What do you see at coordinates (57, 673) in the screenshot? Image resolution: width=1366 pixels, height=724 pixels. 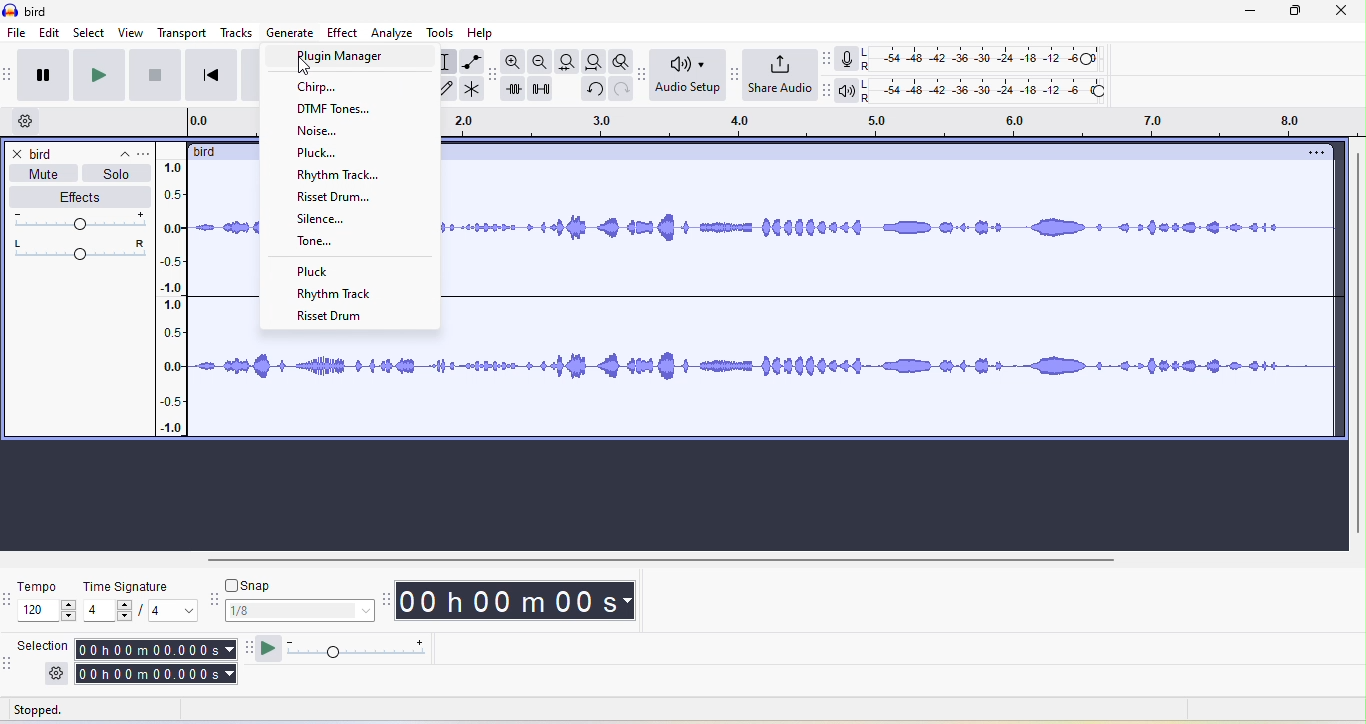 I see `selection settings` at bounding box center [57, 673].